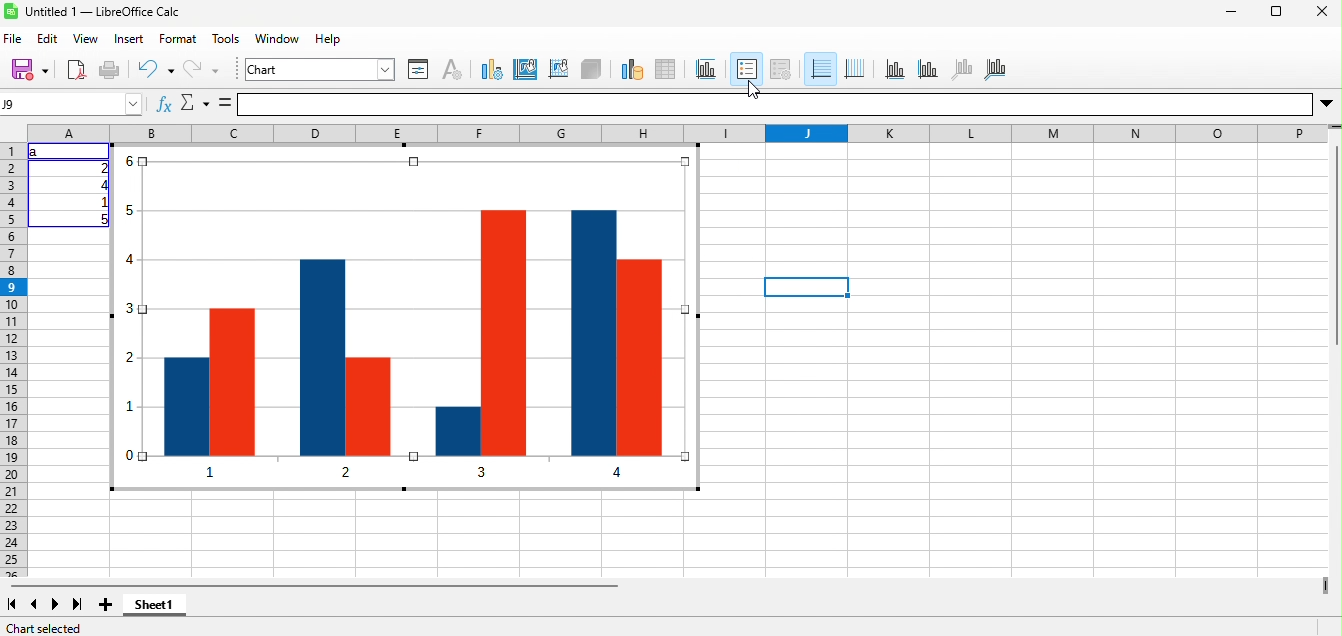  Describe the element at coordinates (36, 151) in the screenshot. I see `a` at that location.